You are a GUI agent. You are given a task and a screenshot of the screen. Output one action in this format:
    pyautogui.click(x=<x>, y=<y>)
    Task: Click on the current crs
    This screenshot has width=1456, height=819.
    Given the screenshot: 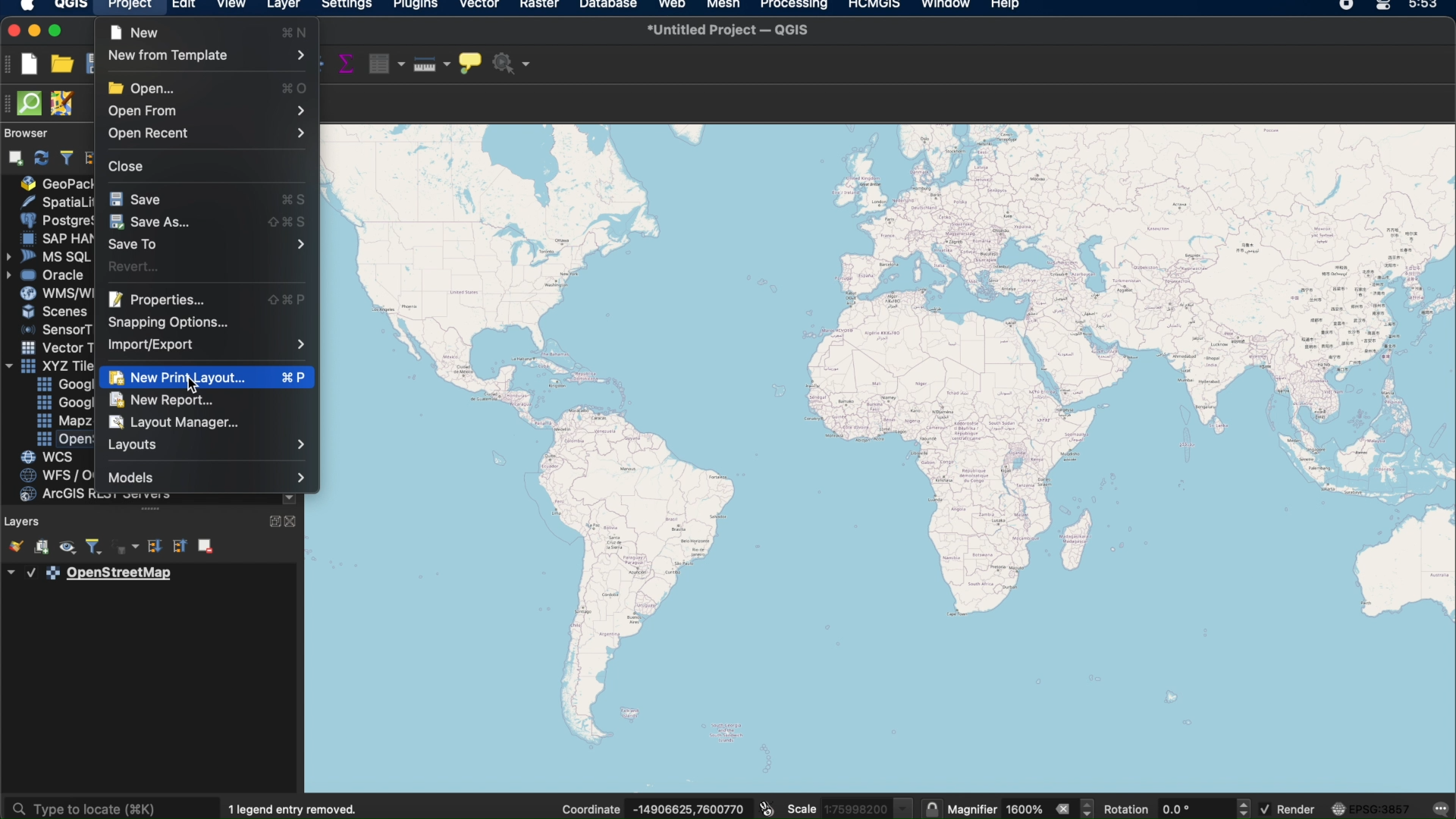 What is the action you would take?
    pyautogui.click(x=1370, y=807)
    